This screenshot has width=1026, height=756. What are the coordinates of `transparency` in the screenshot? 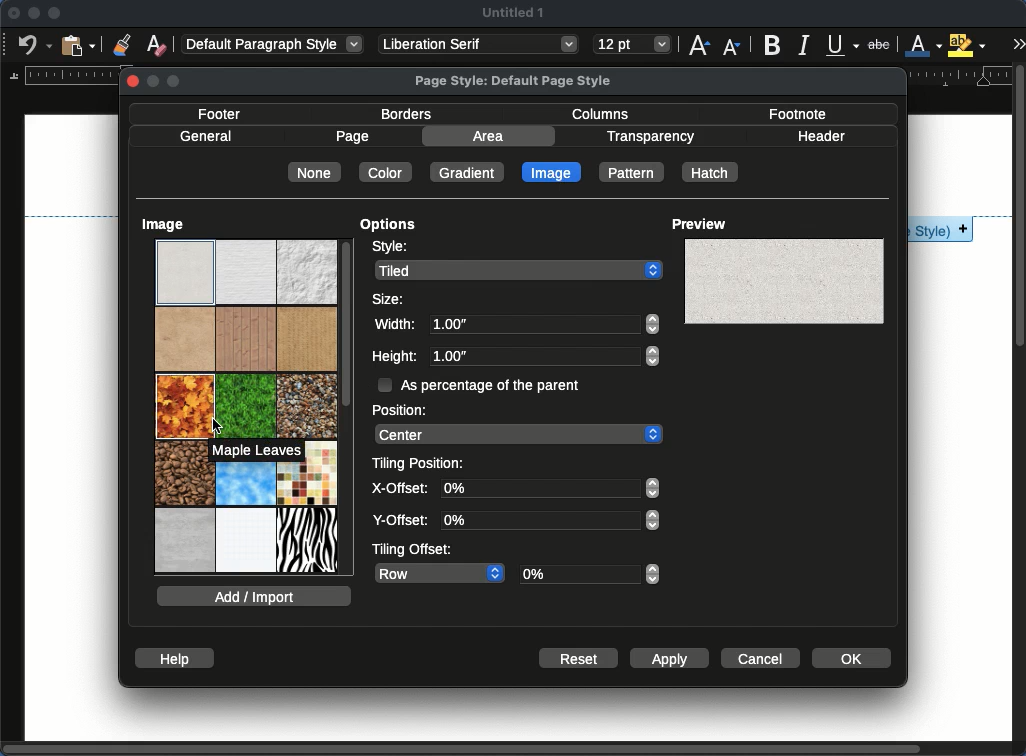 It's located at (652, 137).